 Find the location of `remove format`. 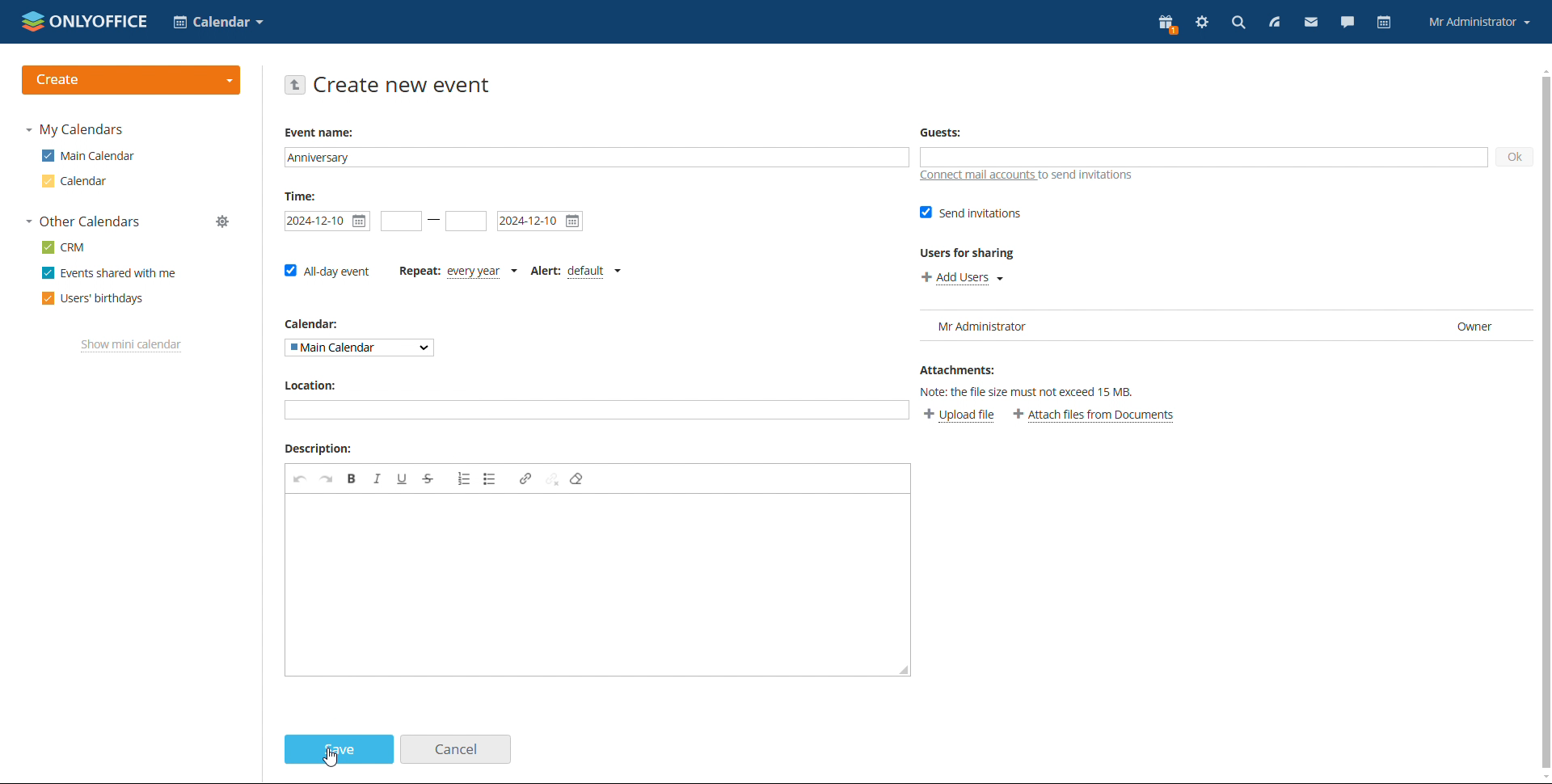

remove format is located at coordinates (579, 478).